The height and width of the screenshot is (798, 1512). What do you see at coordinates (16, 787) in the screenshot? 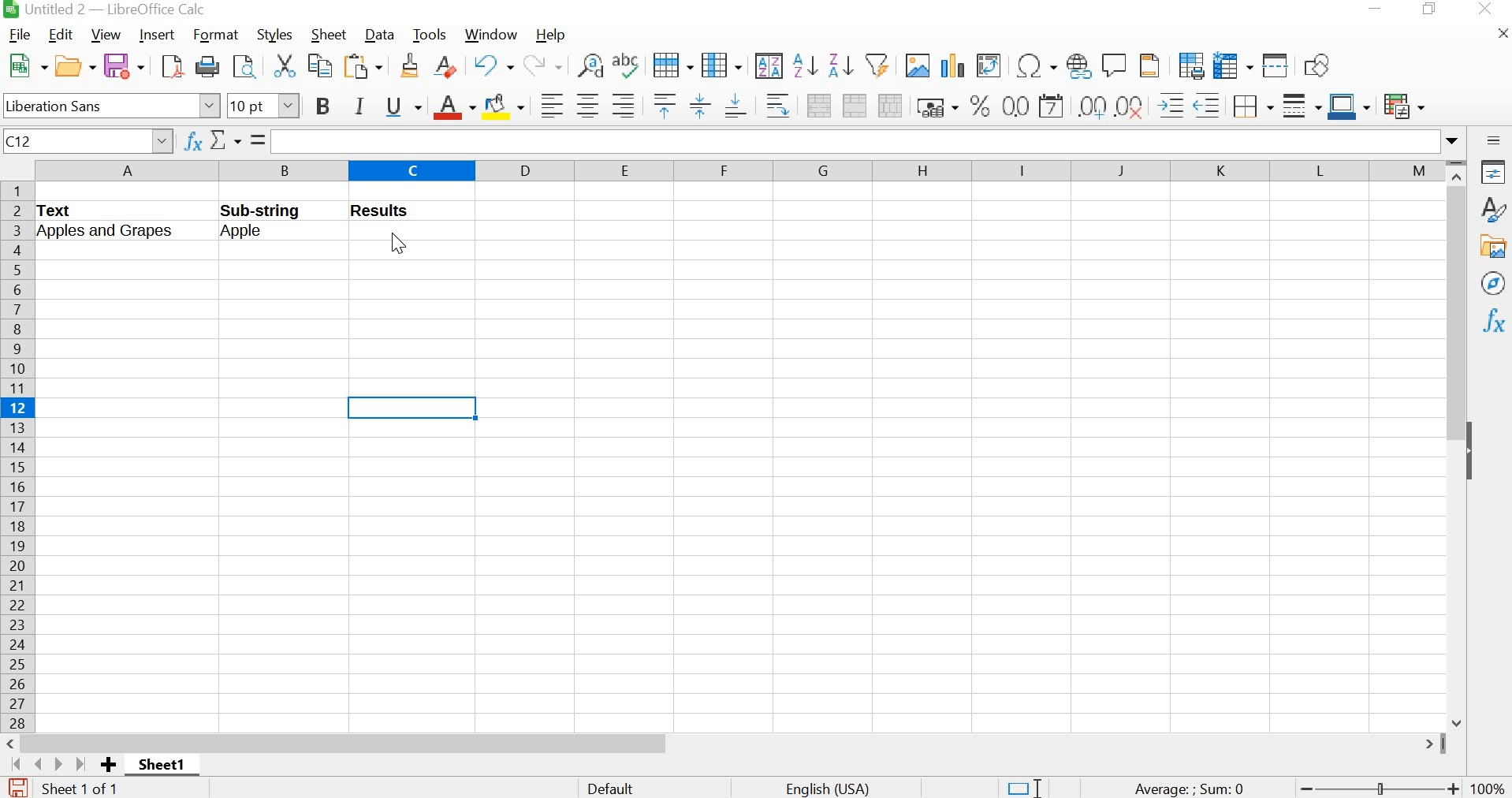
I see `save` at bounding box center [16, 787].